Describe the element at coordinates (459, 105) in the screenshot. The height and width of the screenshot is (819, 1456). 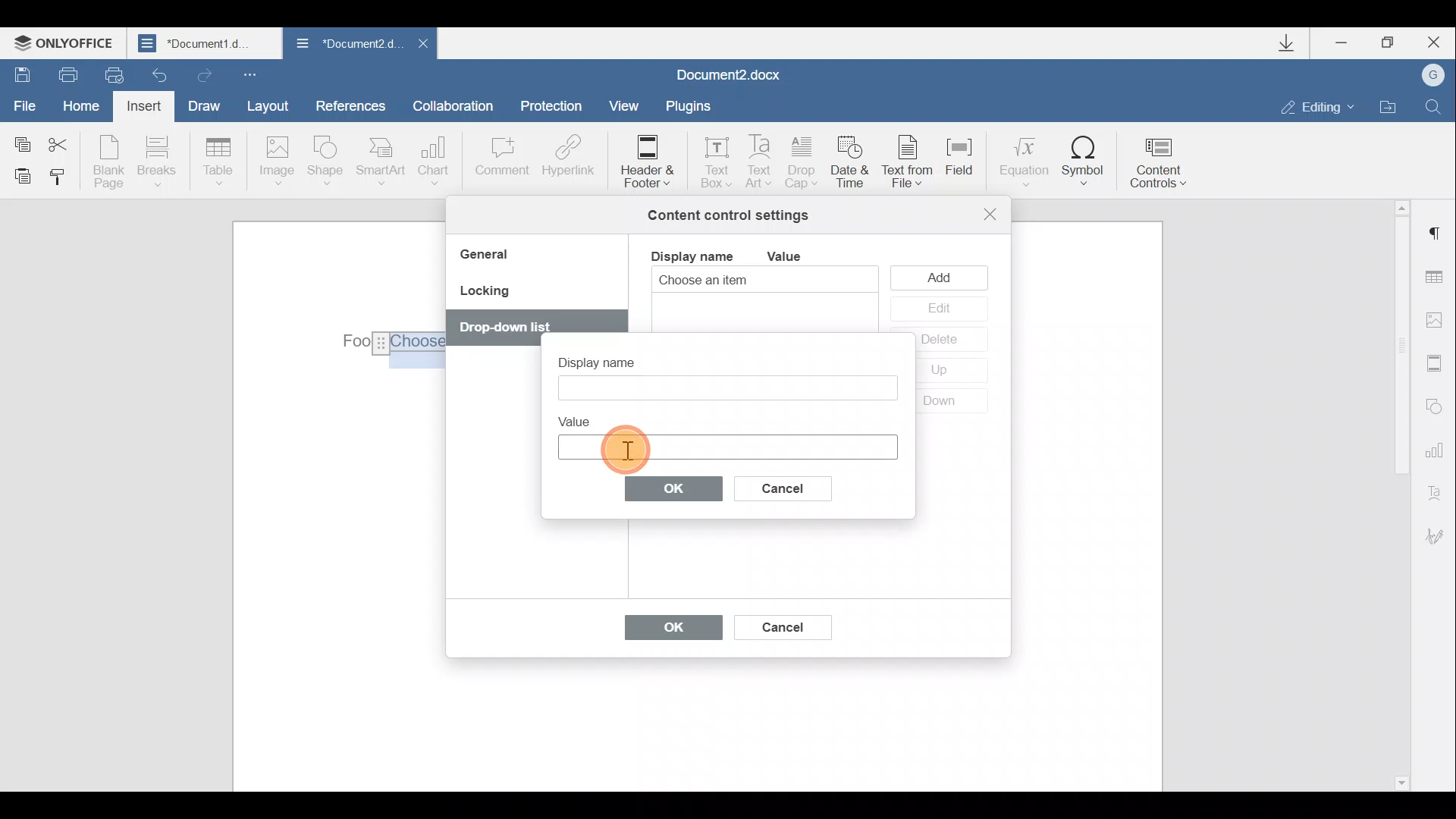
I see `Collaboration` at that location.